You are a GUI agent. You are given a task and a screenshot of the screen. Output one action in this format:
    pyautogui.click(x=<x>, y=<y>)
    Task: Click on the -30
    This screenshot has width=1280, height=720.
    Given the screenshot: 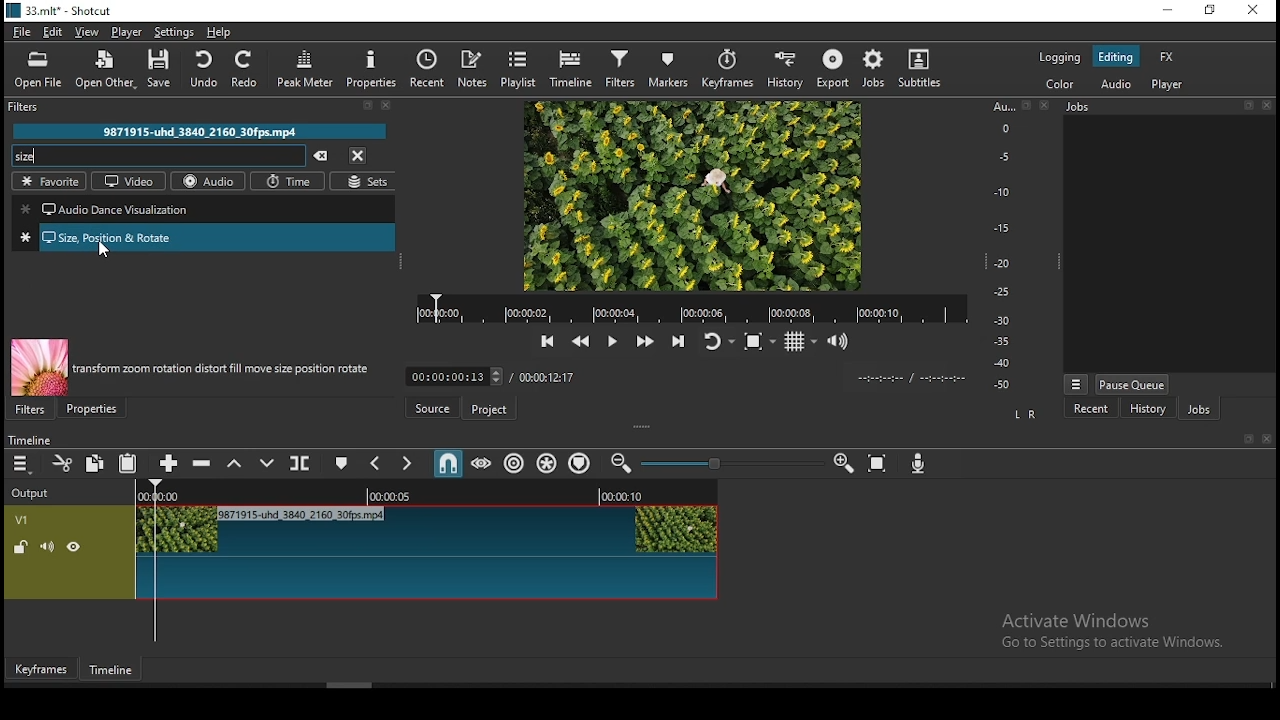 What is the action you would take?
    pyautogui.click(x=1002, y=319)
    